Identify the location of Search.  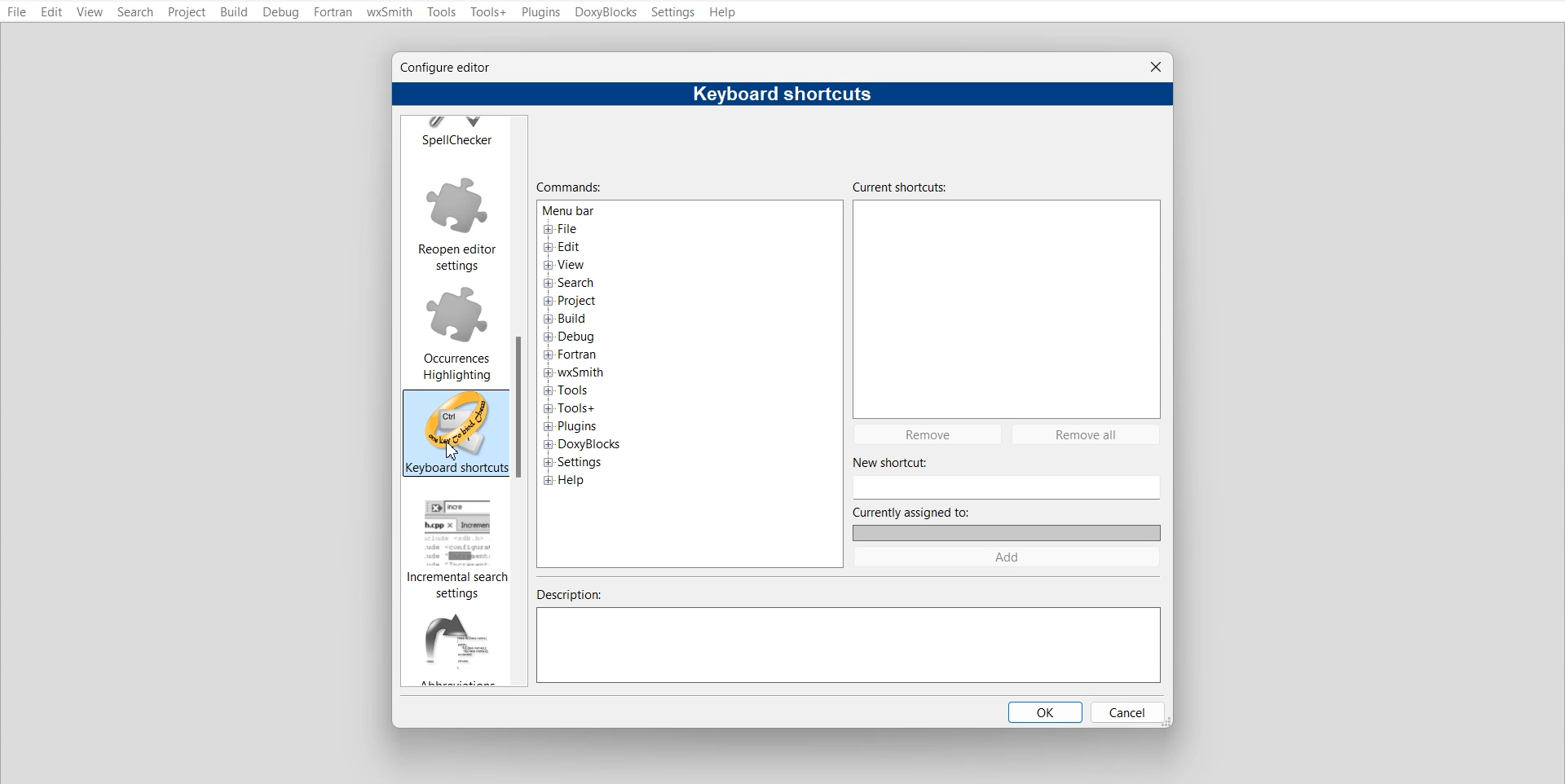
(135, 12).